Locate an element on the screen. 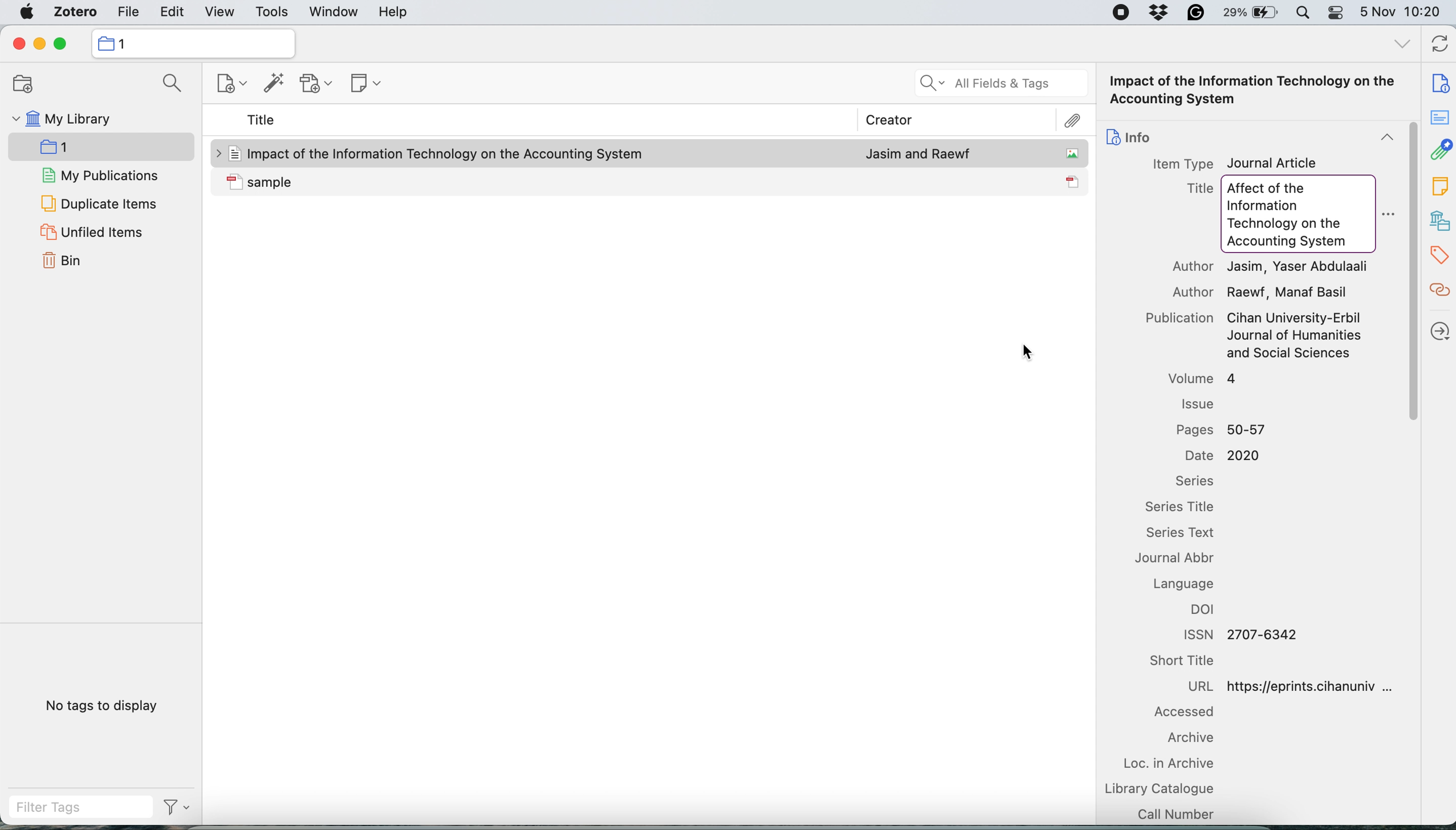  no tags to display is located at coordinates (102, 705).